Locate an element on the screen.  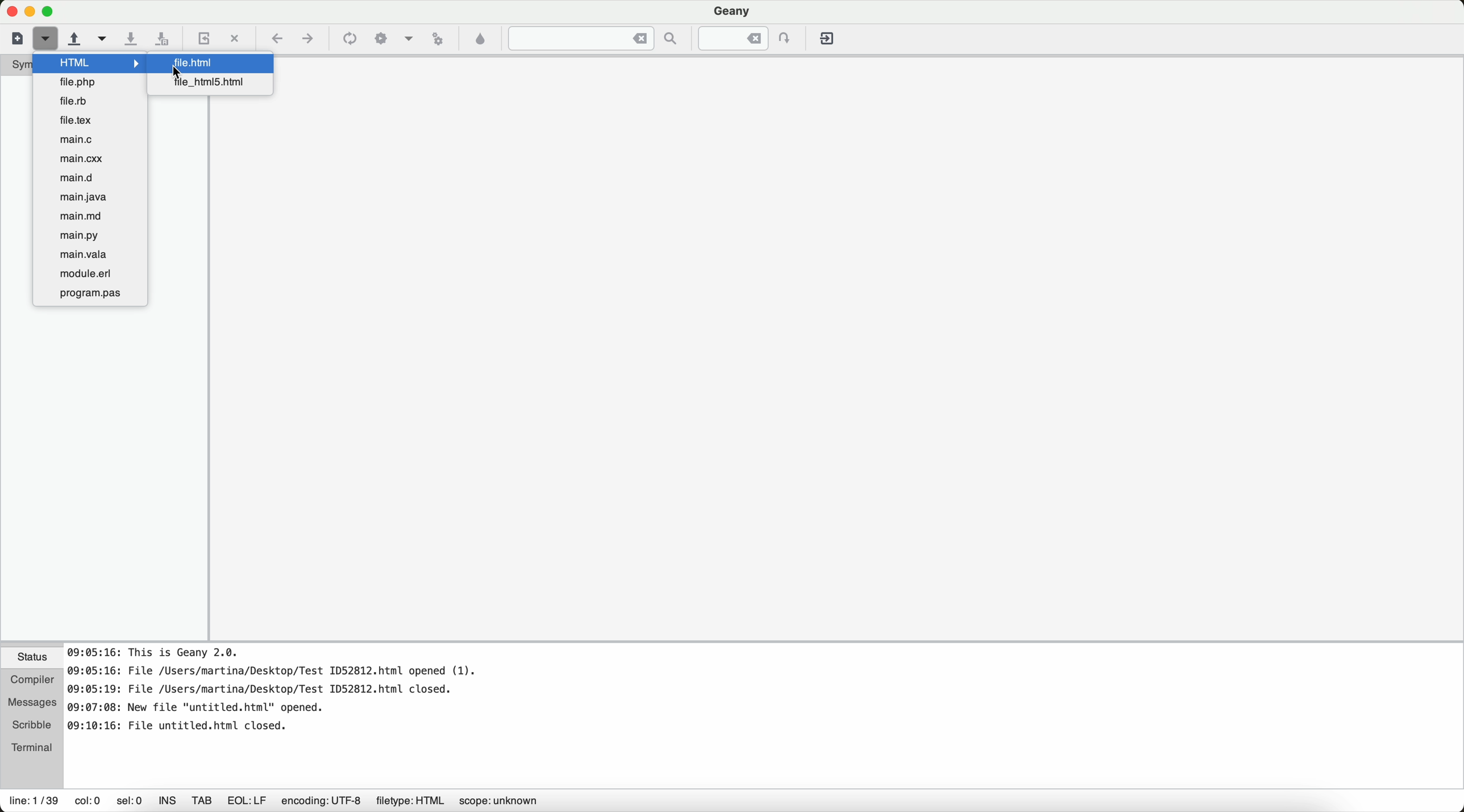
terminal is located at coordinates (30, 746).